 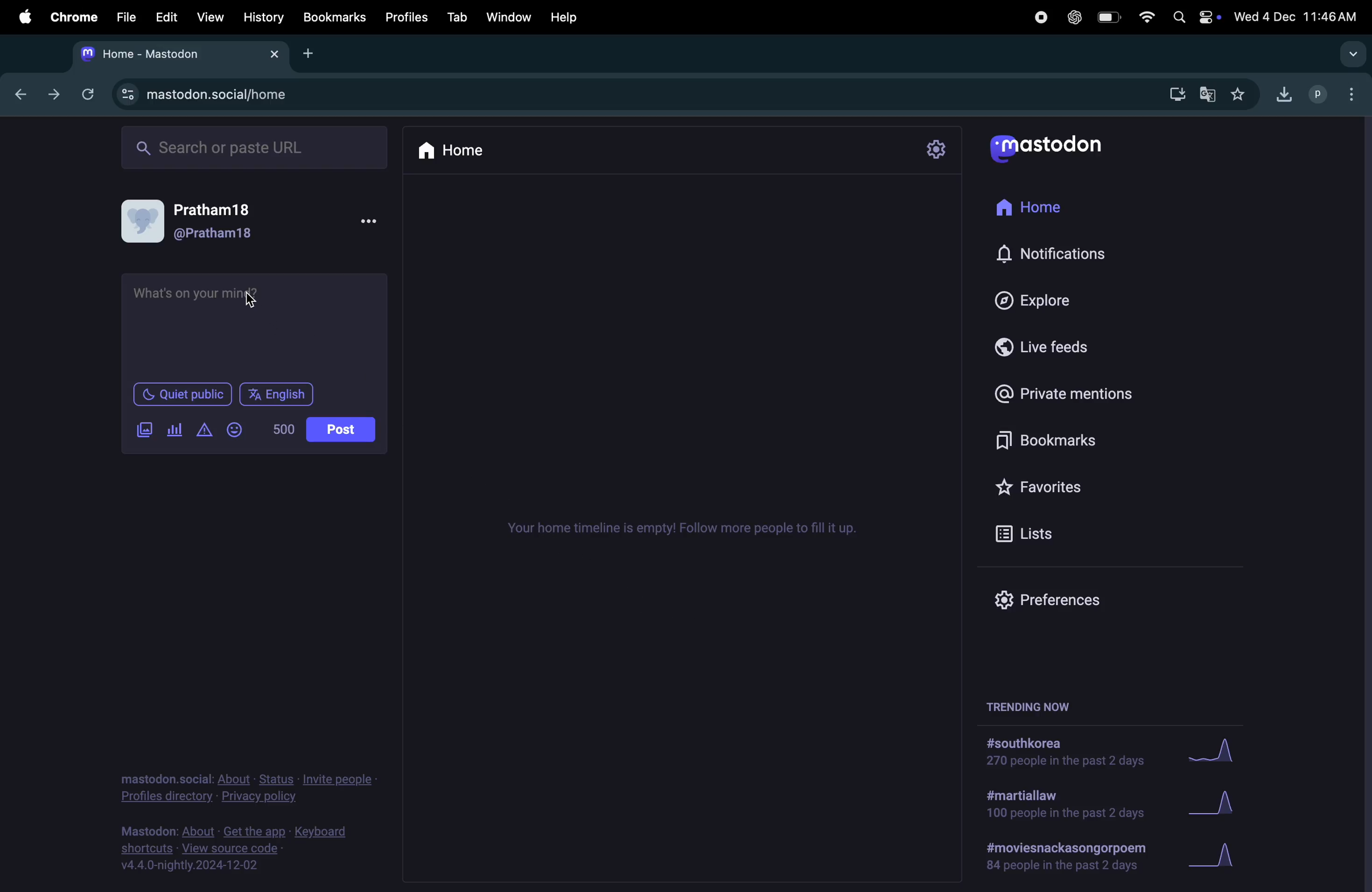 I want to click on options, so click(x=378, y=222).